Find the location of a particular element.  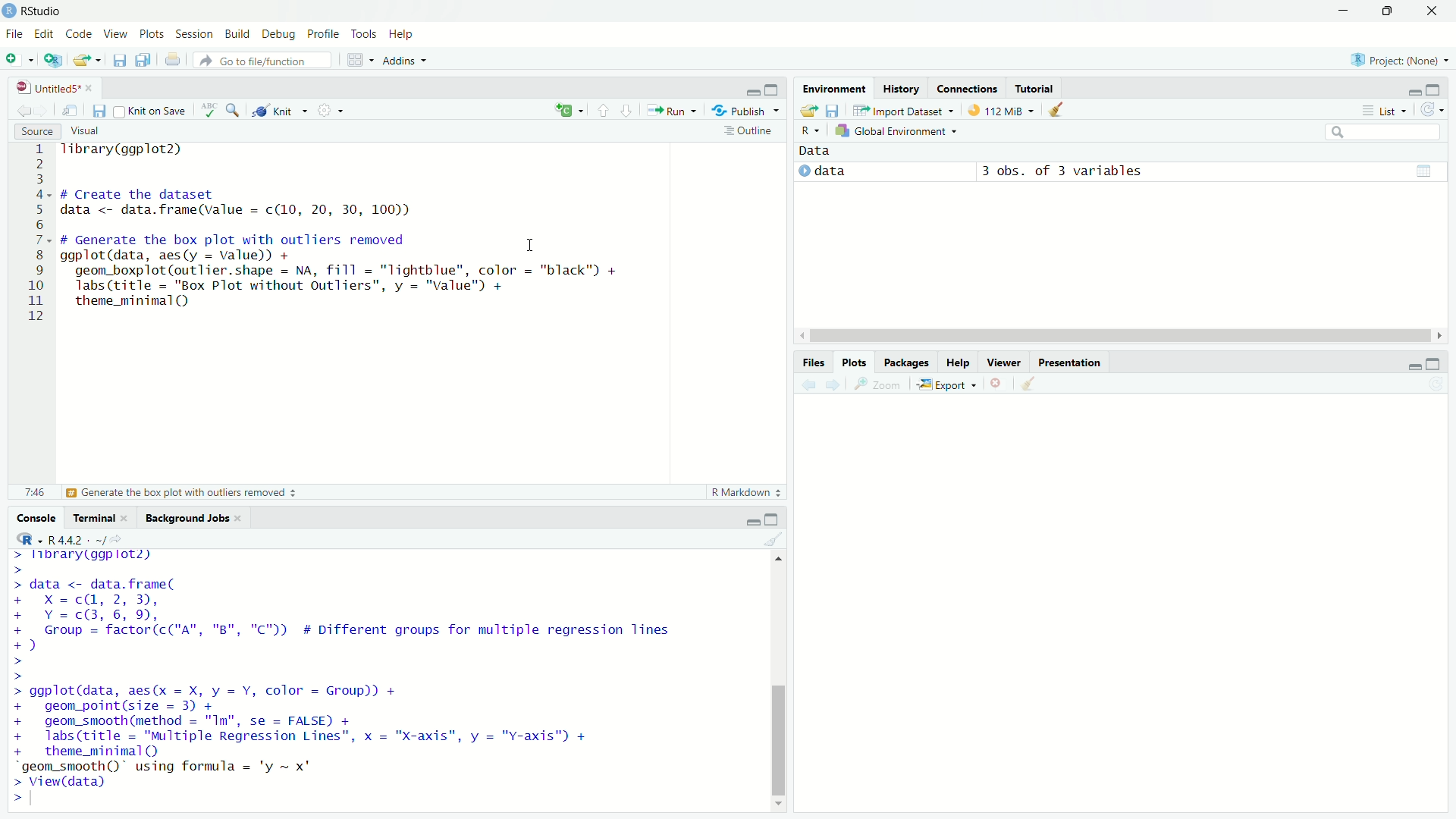

Edit is located at coordinates (44, 33).